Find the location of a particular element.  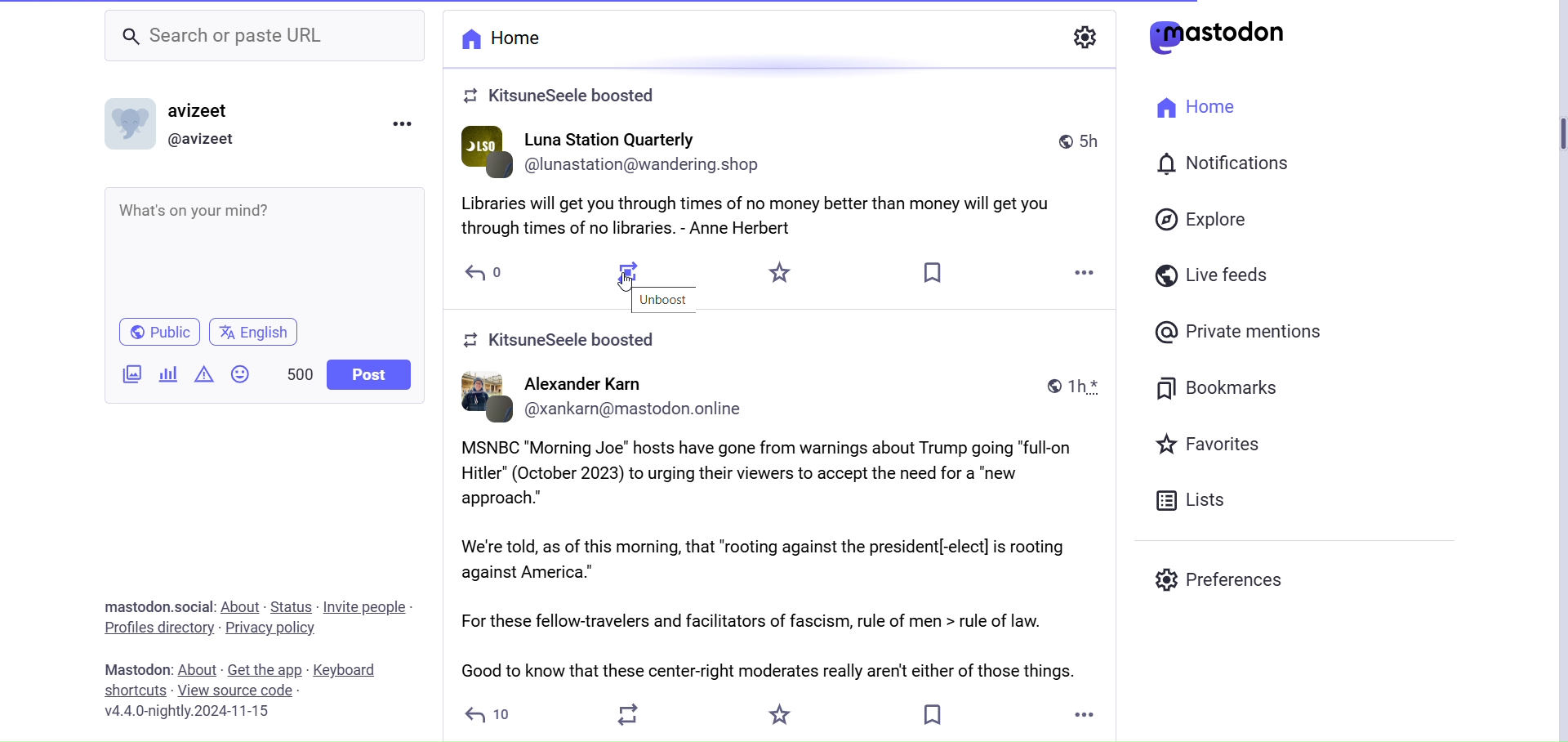

Word Limit is located at coordinates (297, 374).